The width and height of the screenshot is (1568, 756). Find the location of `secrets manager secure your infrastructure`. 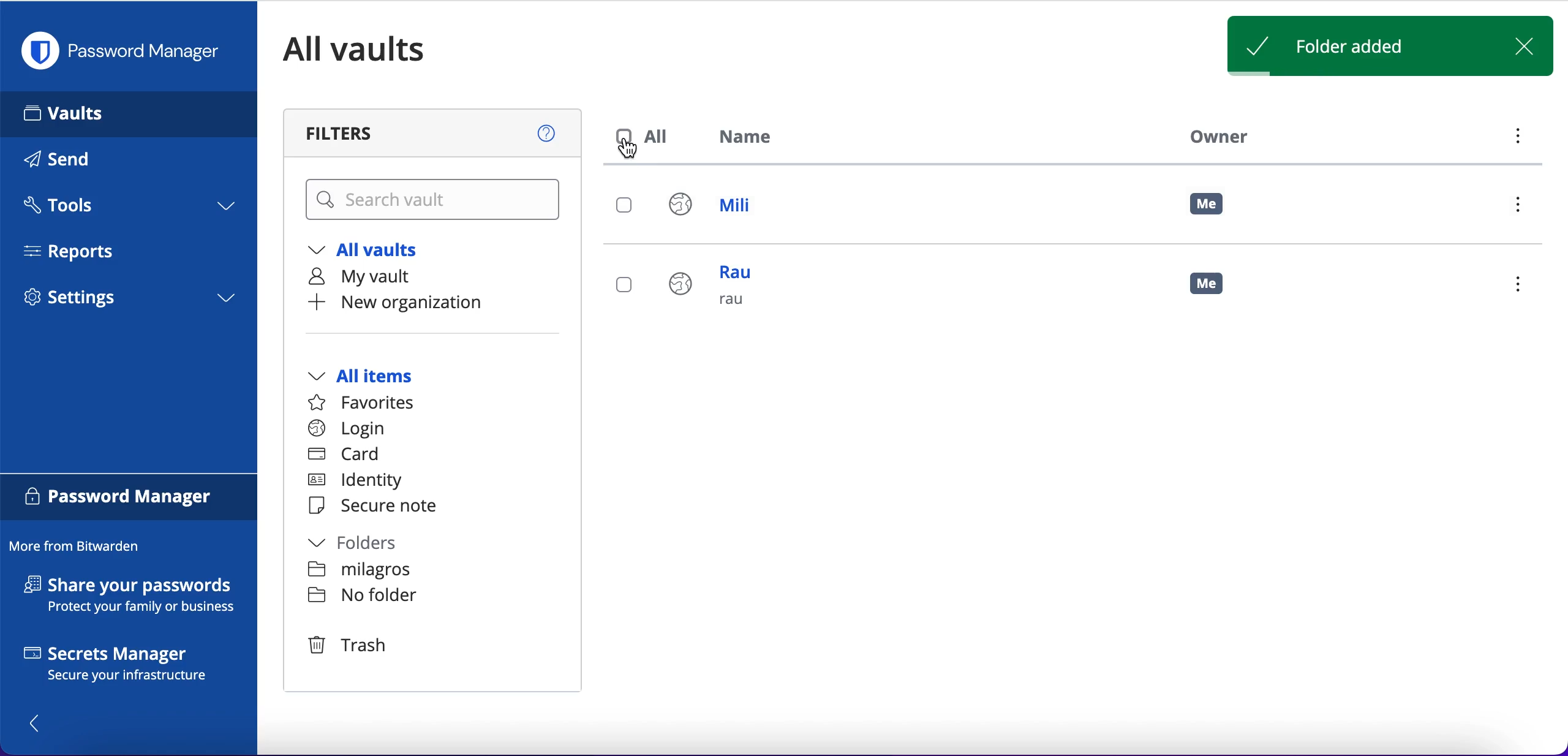

secrets manager secure your infrastructure is located at coordinates (129, 667).